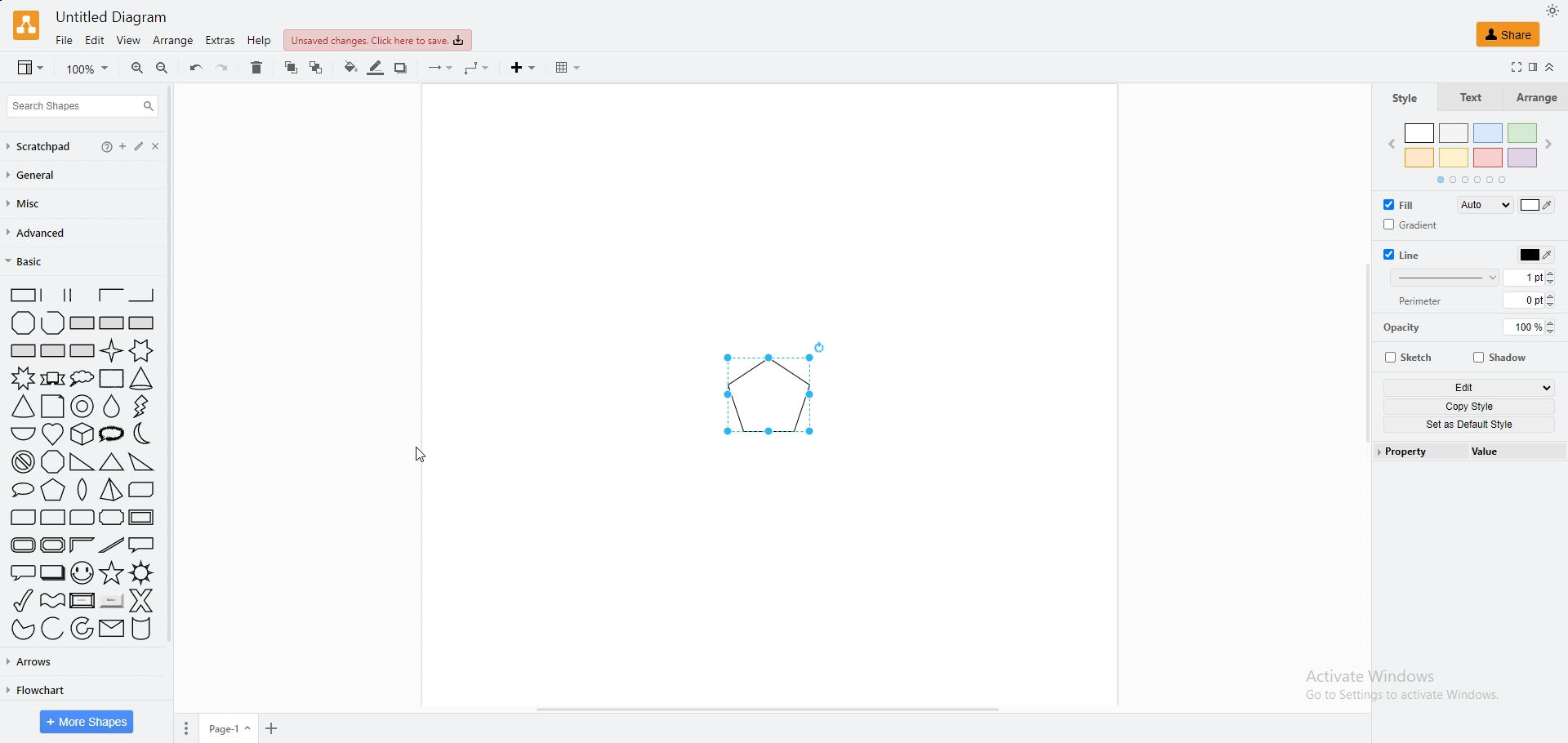  What do you see at coordinates (1482, 205) in the screenshot?
I see `fill selection` at bounding box center [1482, 205].